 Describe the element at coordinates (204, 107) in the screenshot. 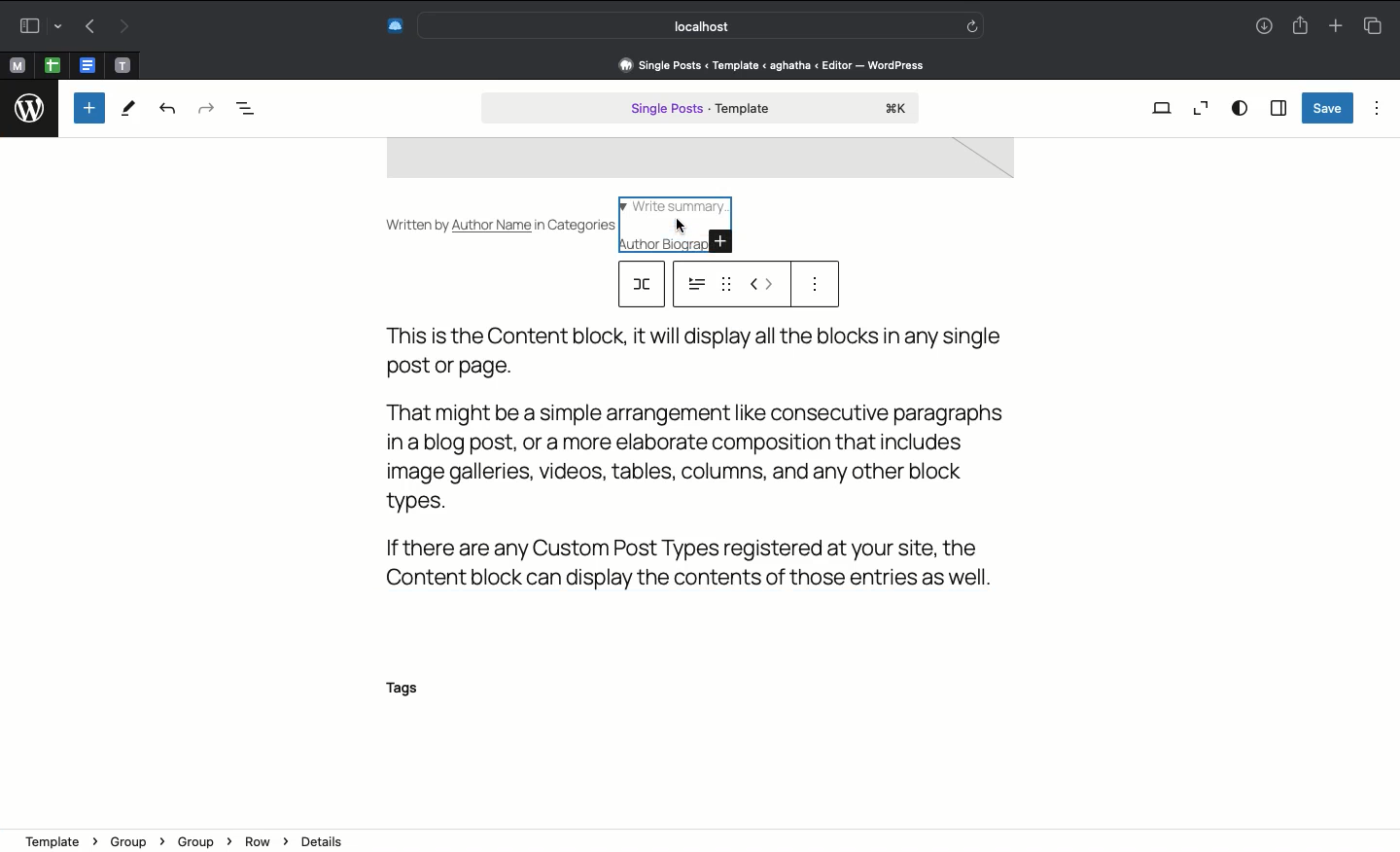

I see `Redo` at that location.